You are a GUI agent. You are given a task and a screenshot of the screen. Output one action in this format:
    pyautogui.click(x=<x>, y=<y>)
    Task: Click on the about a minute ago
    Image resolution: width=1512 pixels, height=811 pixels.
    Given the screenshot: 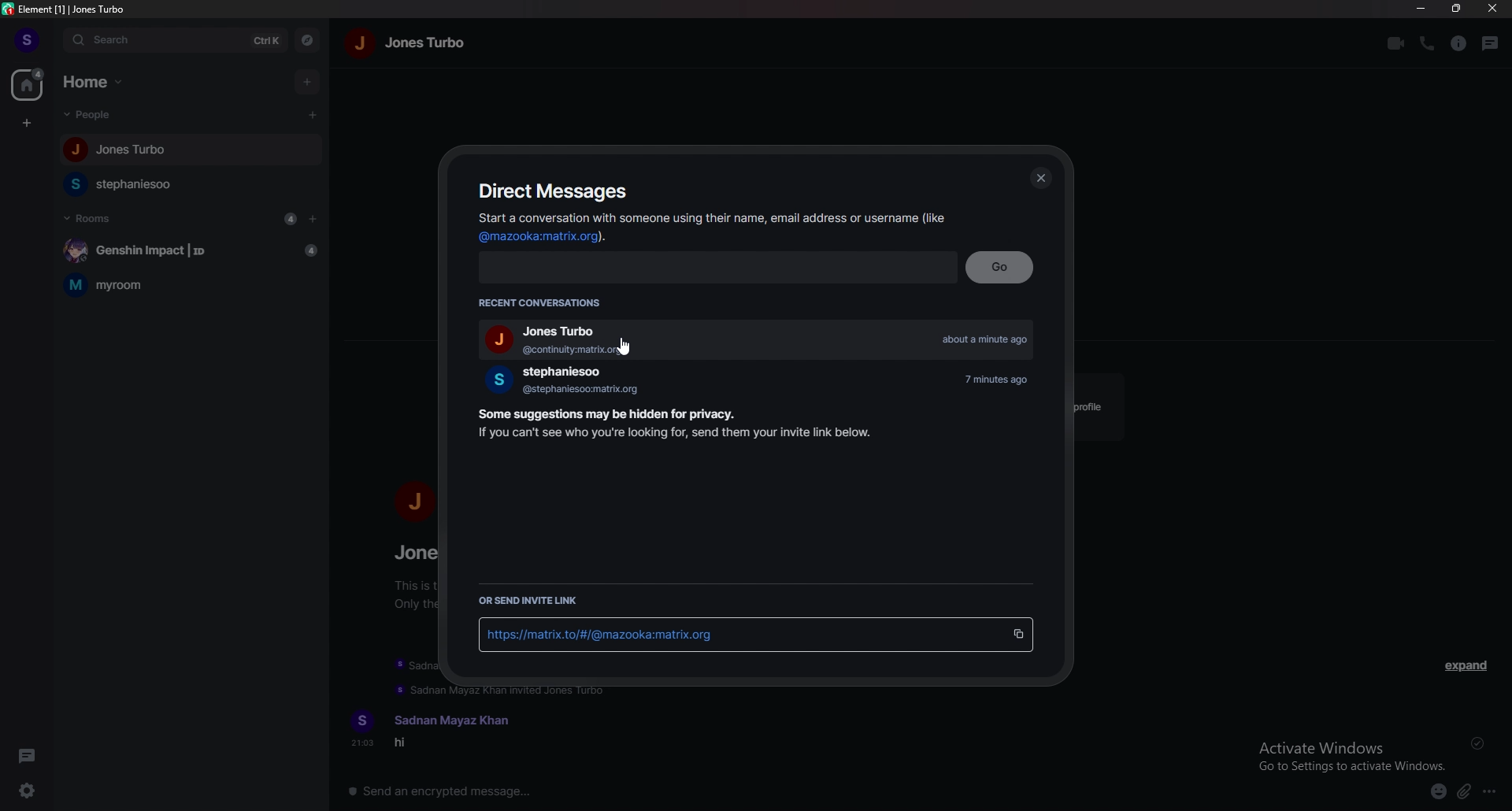 What is the action you would take?
    pyautogui.click(x=992, y=341)
    